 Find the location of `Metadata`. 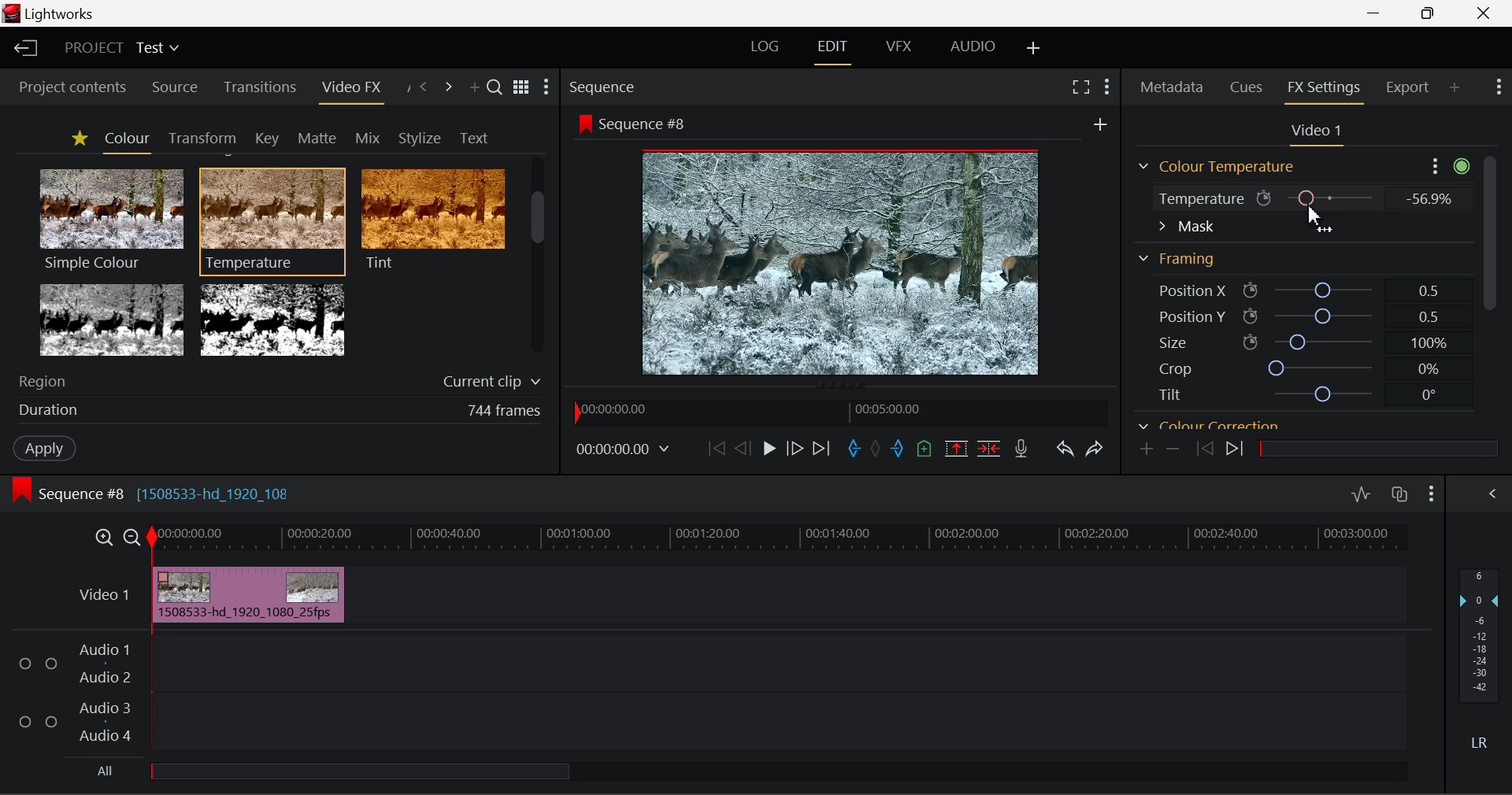

Metadata is located at coordinates (1170, 87).